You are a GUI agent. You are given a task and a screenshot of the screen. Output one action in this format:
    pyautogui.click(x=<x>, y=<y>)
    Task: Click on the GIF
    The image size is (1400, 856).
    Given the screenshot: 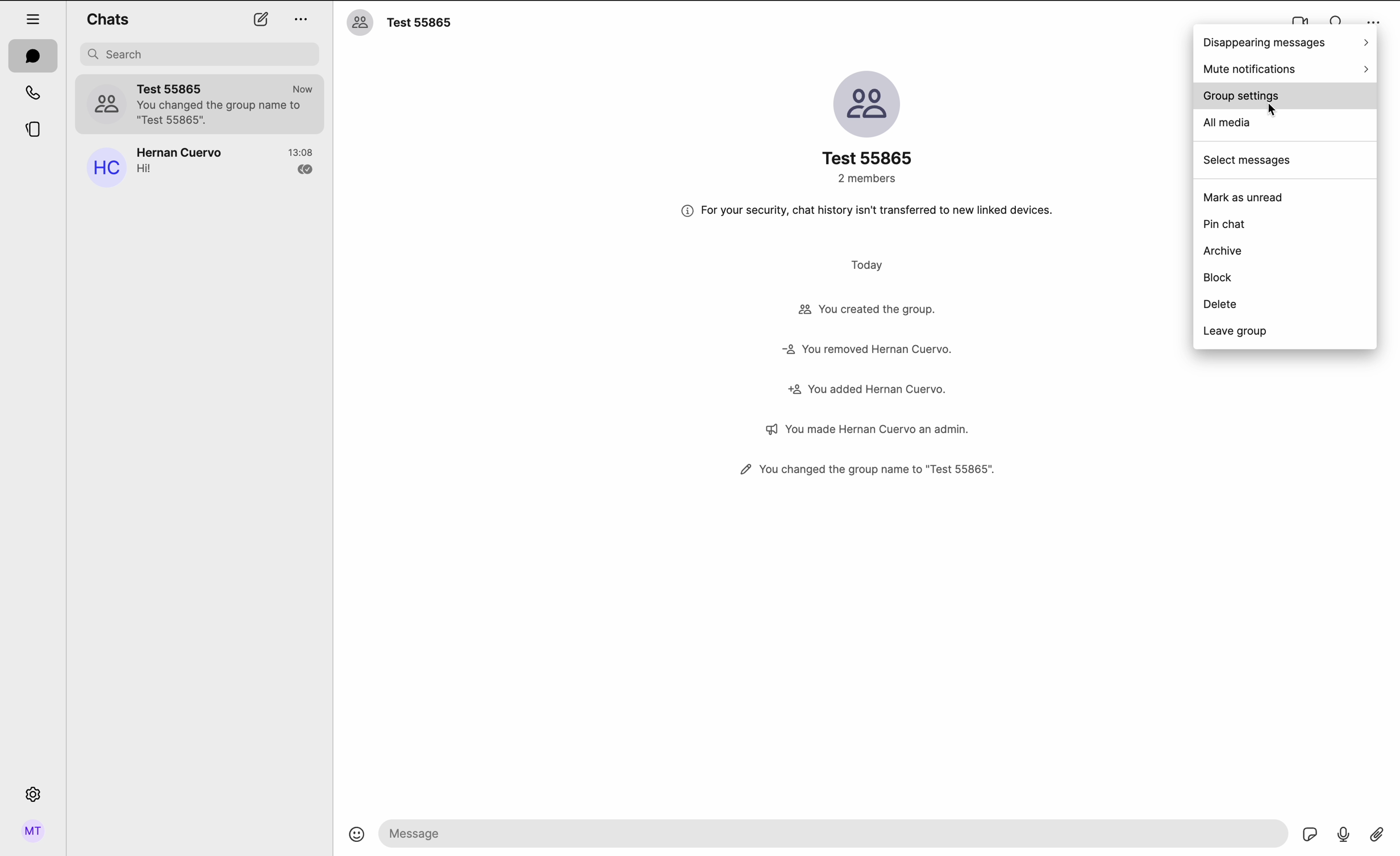 What is the action you would take?
    pyautogui.click(x=1311, y=835)
    